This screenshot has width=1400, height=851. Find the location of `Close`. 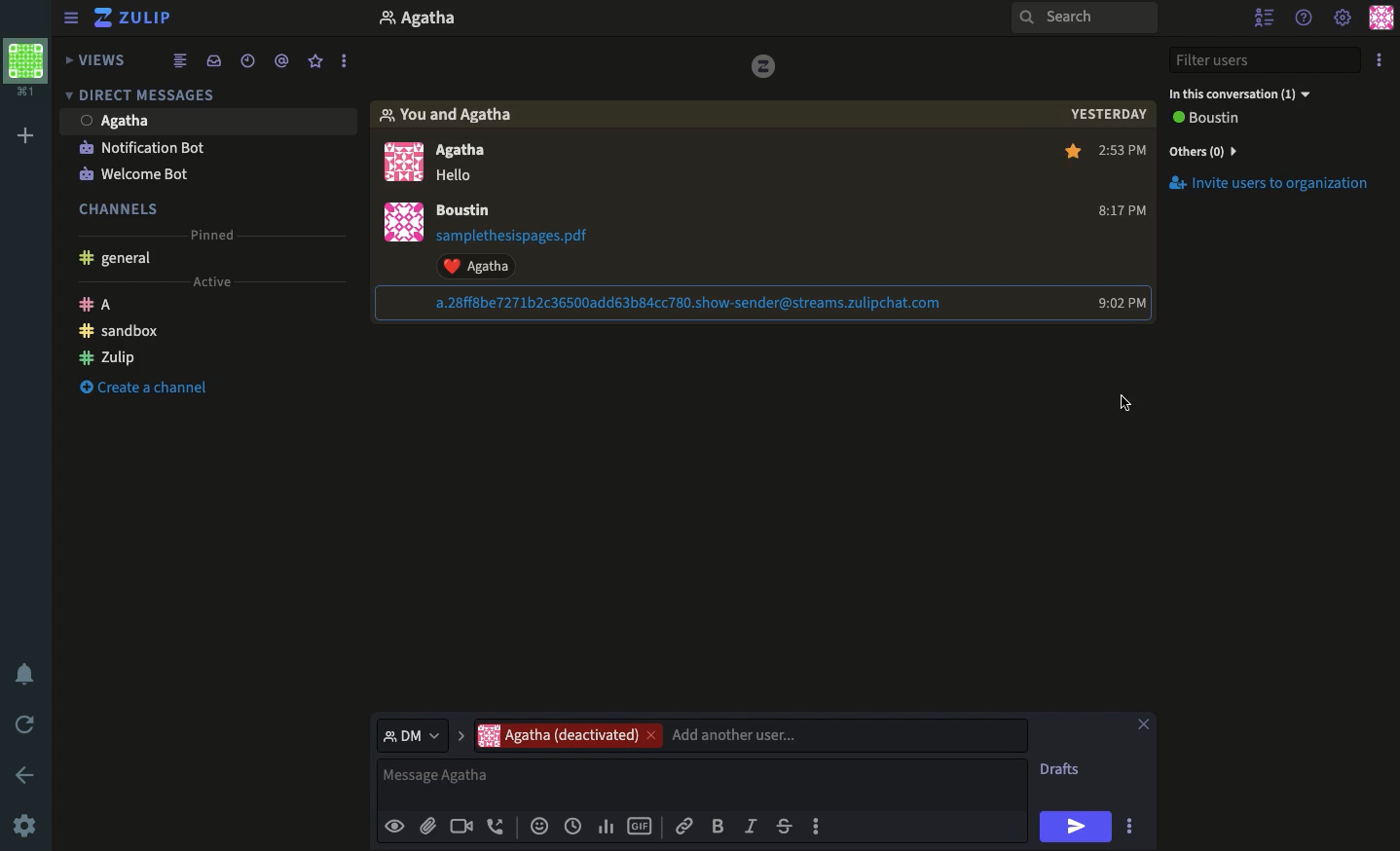

Close is located at coordinates (1144, 721).